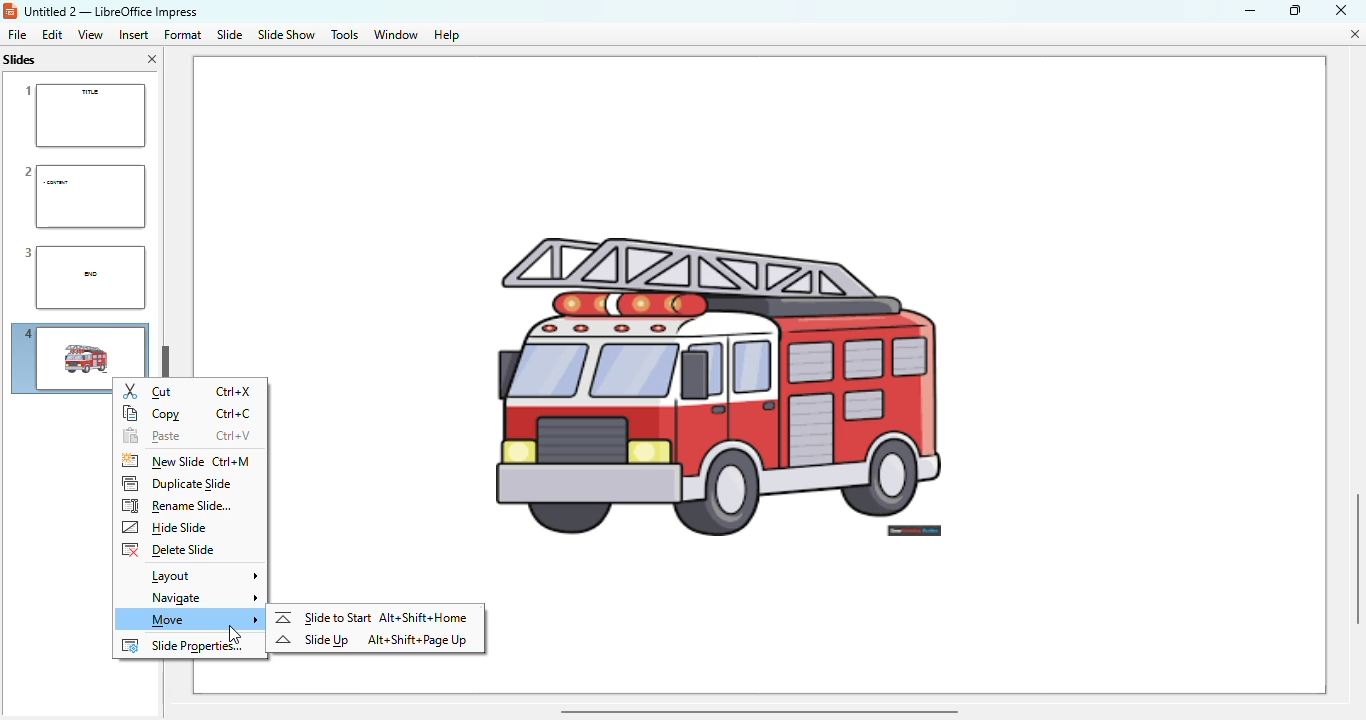 Image resolution: width=1366 pixels, height=720 pixels. Describe the element at coordinates (201, 599) in the screenshot. I see `navigate` at that location.